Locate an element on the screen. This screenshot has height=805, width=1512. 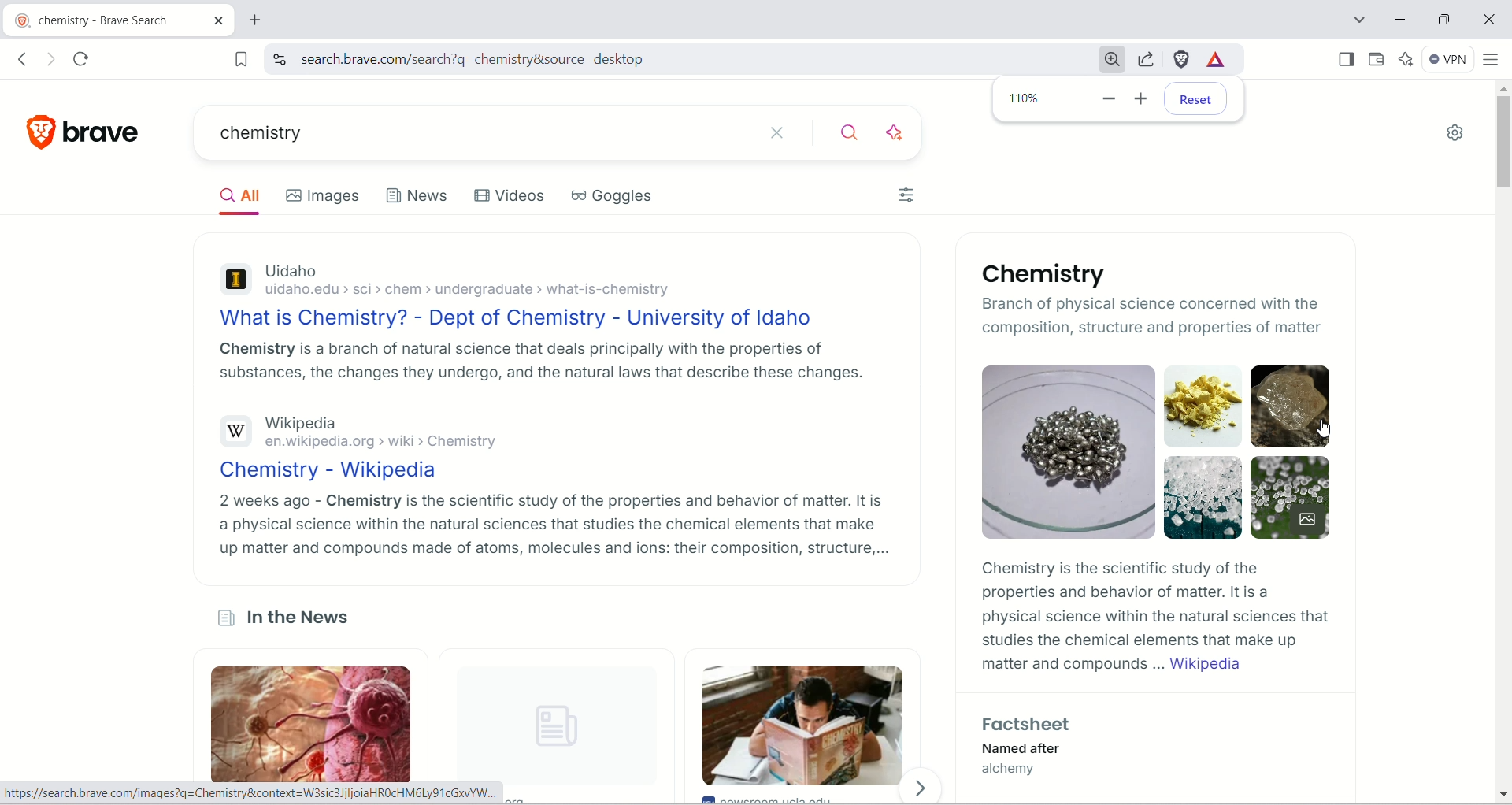
search is located at coordinates (673, 61).